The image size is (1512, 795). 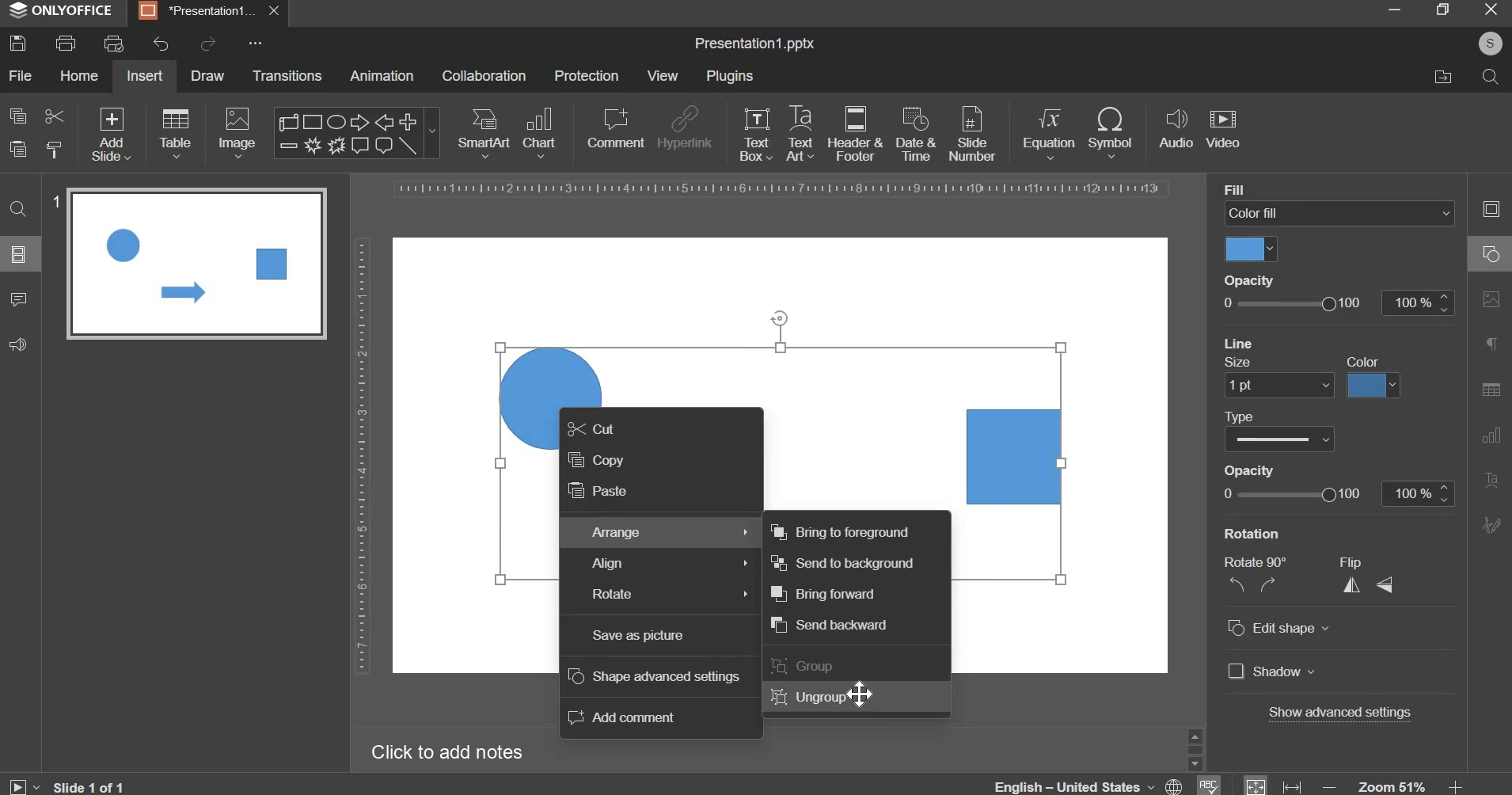 What do you see at coordinates (843, 563) in the screenshot?
I see `send to background` at bounding box center [843, 563].